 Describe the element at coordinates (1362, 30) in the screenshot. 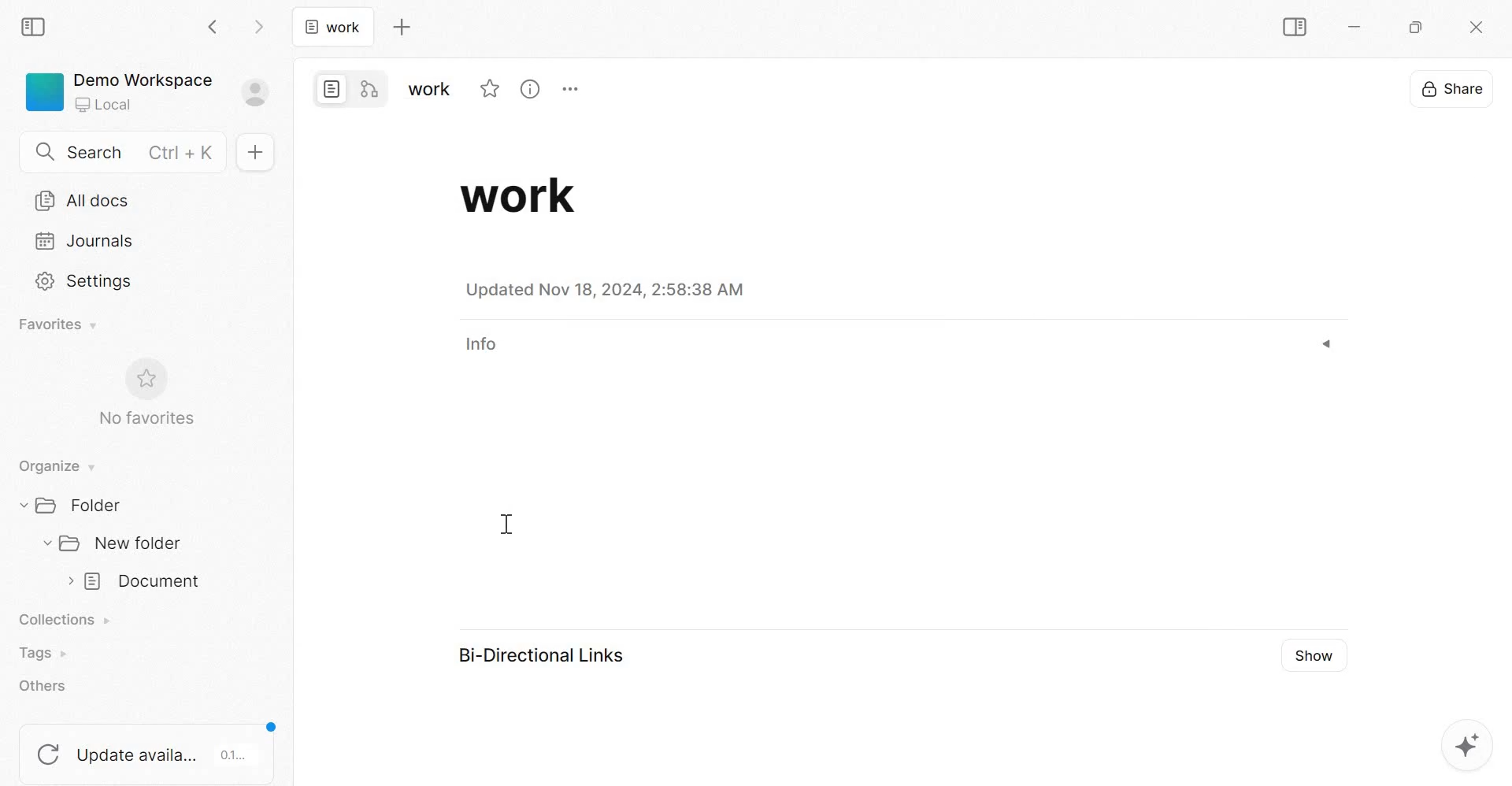

I see `minimize` at that location.